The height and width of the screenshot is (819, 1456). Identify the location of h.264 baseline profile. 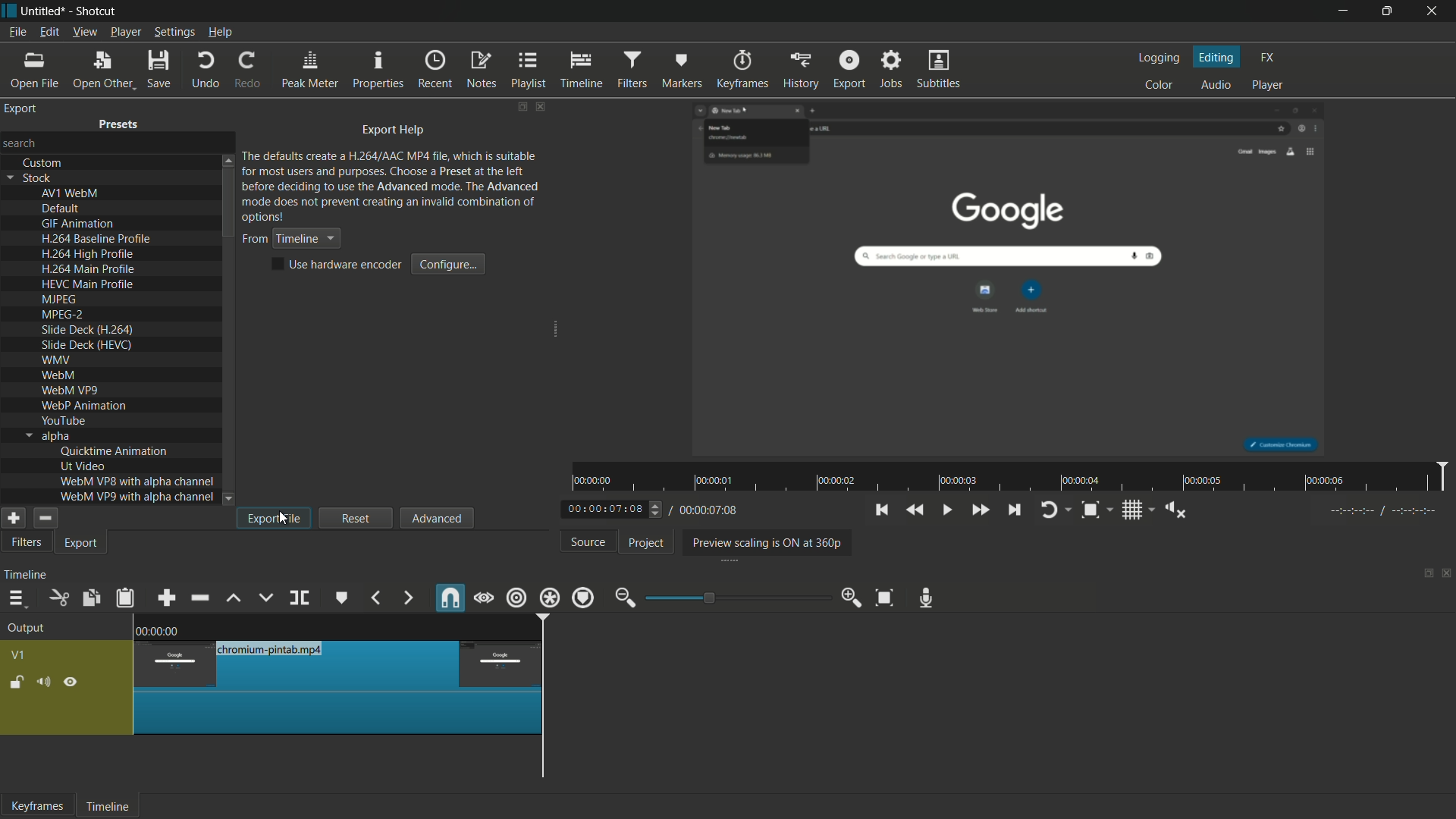
(94, 240).